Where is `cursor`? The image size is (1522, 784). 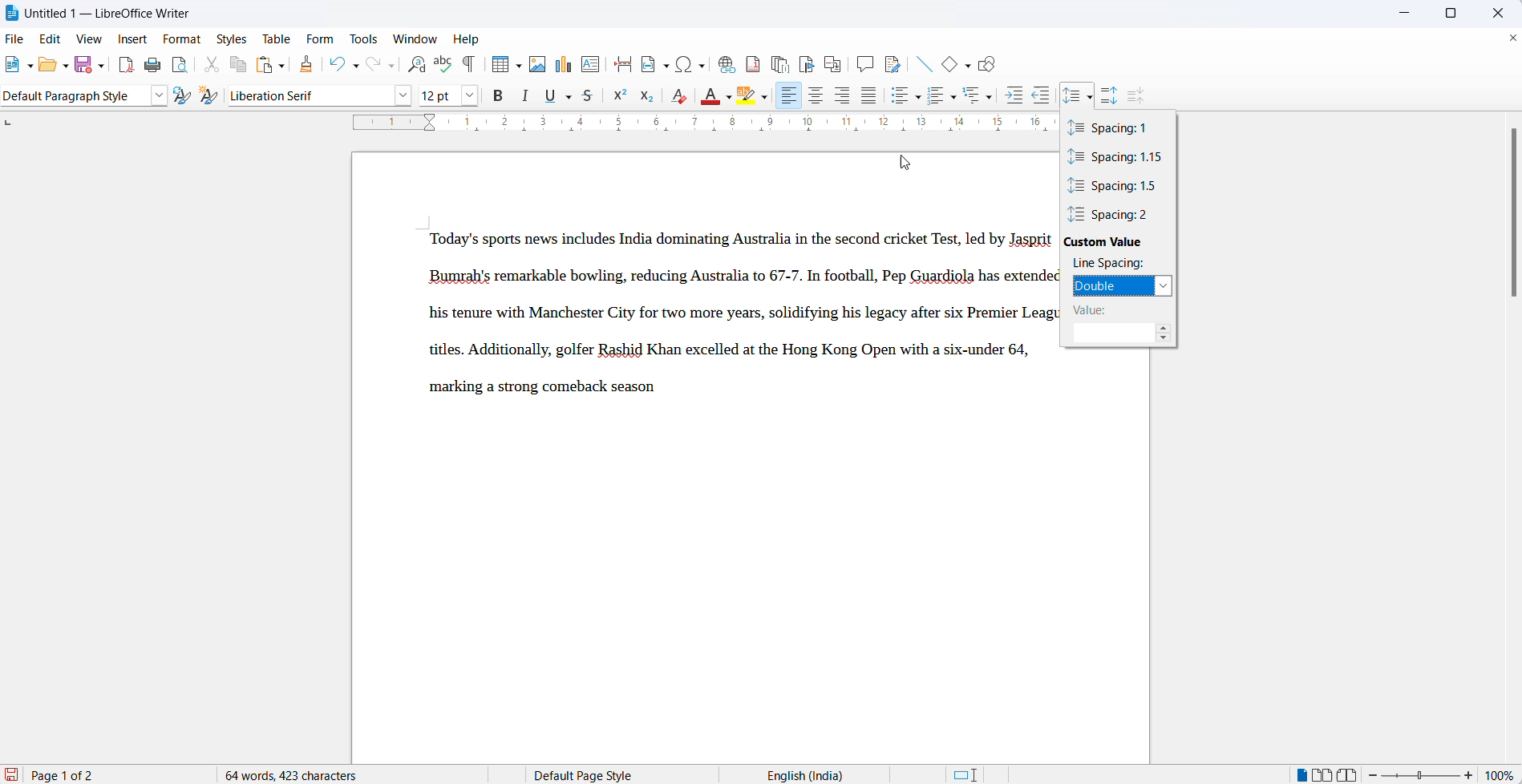
cursor is located at coordinates (905, 163).